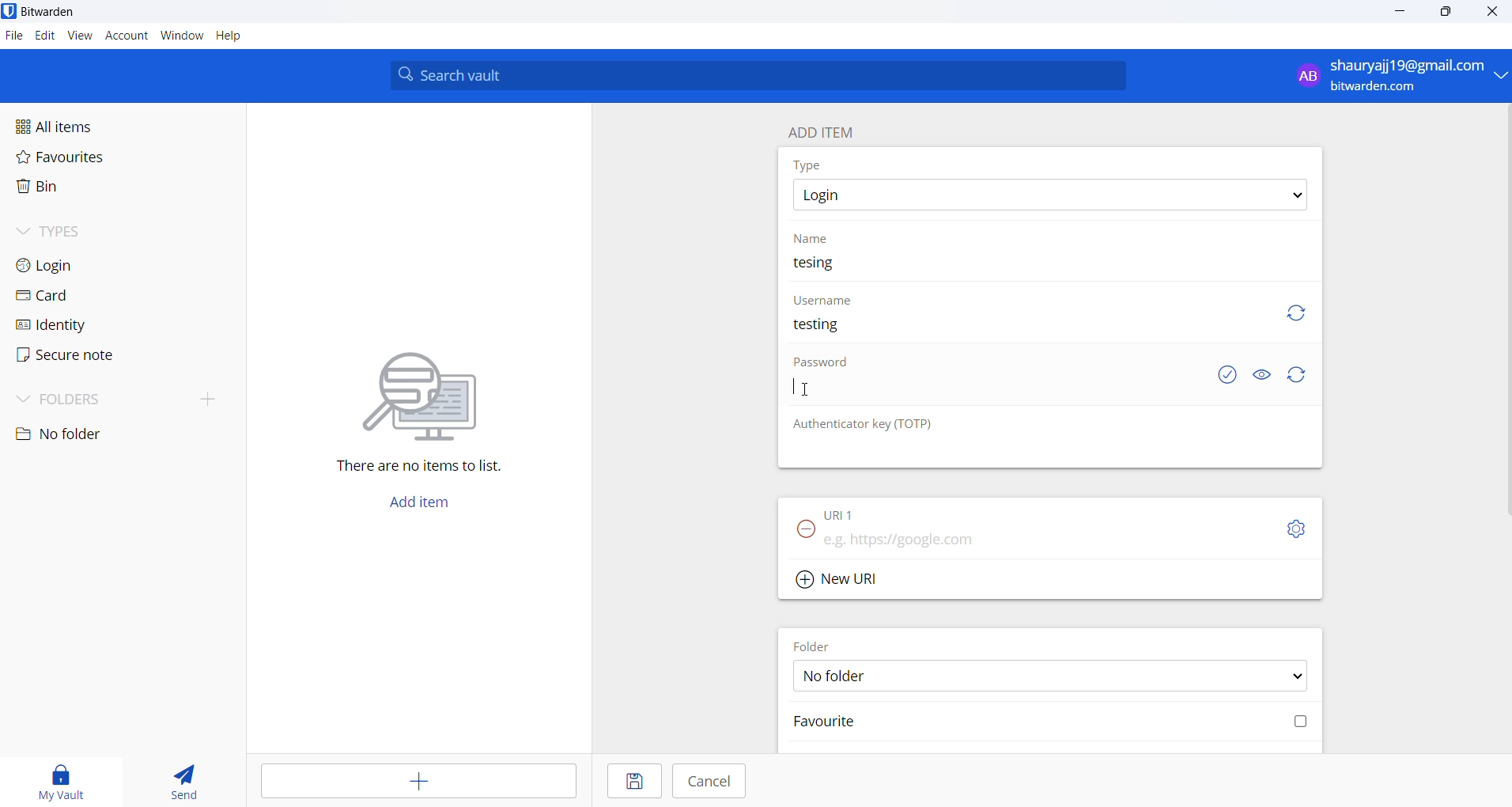 Image resolution: width=1512 pixels, height=807 pixels. I want to click on Type, so click(811, 165).